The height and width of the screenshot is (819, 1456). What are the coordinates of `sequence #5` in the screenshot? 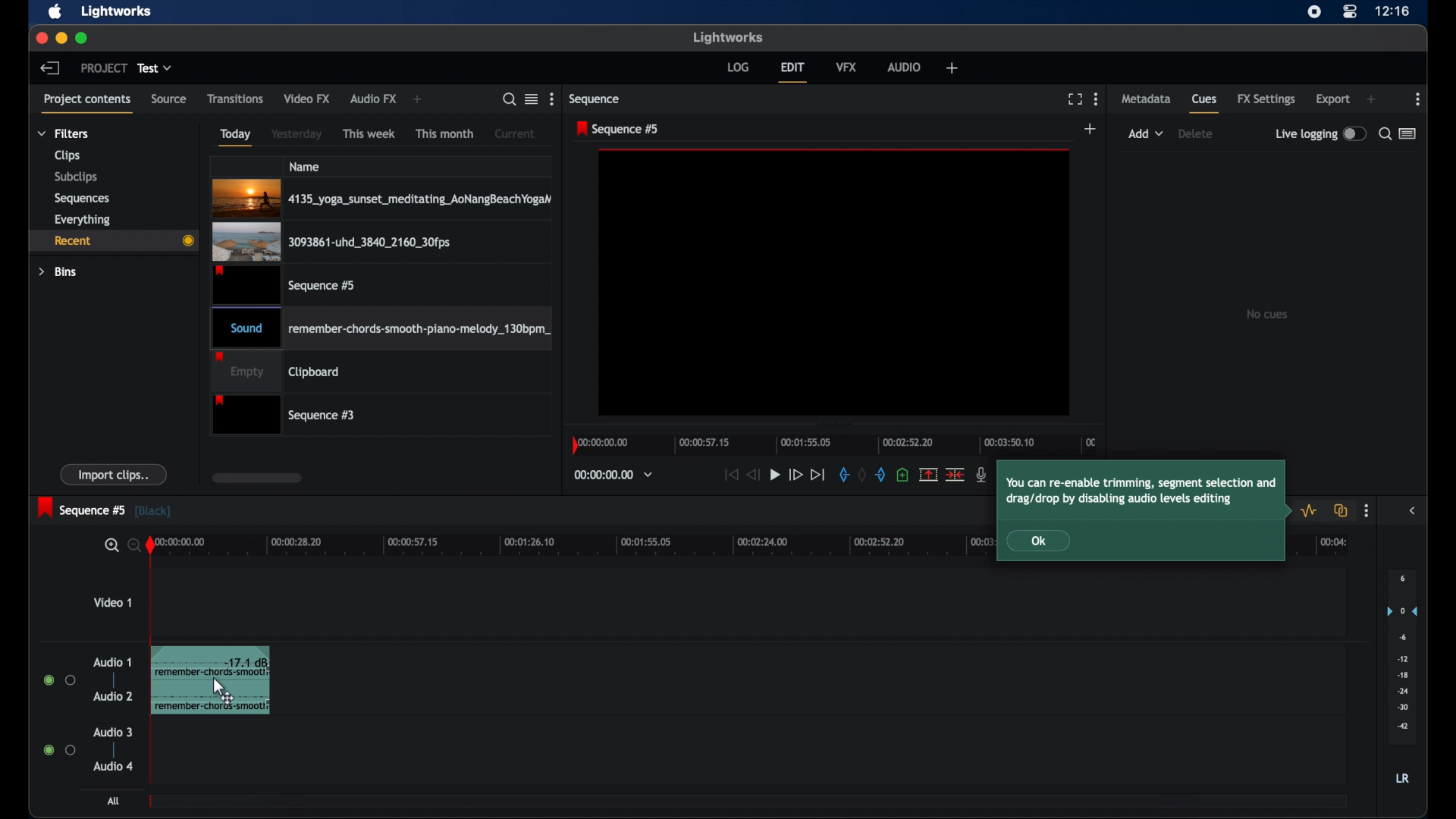 It's located at (283, 284).